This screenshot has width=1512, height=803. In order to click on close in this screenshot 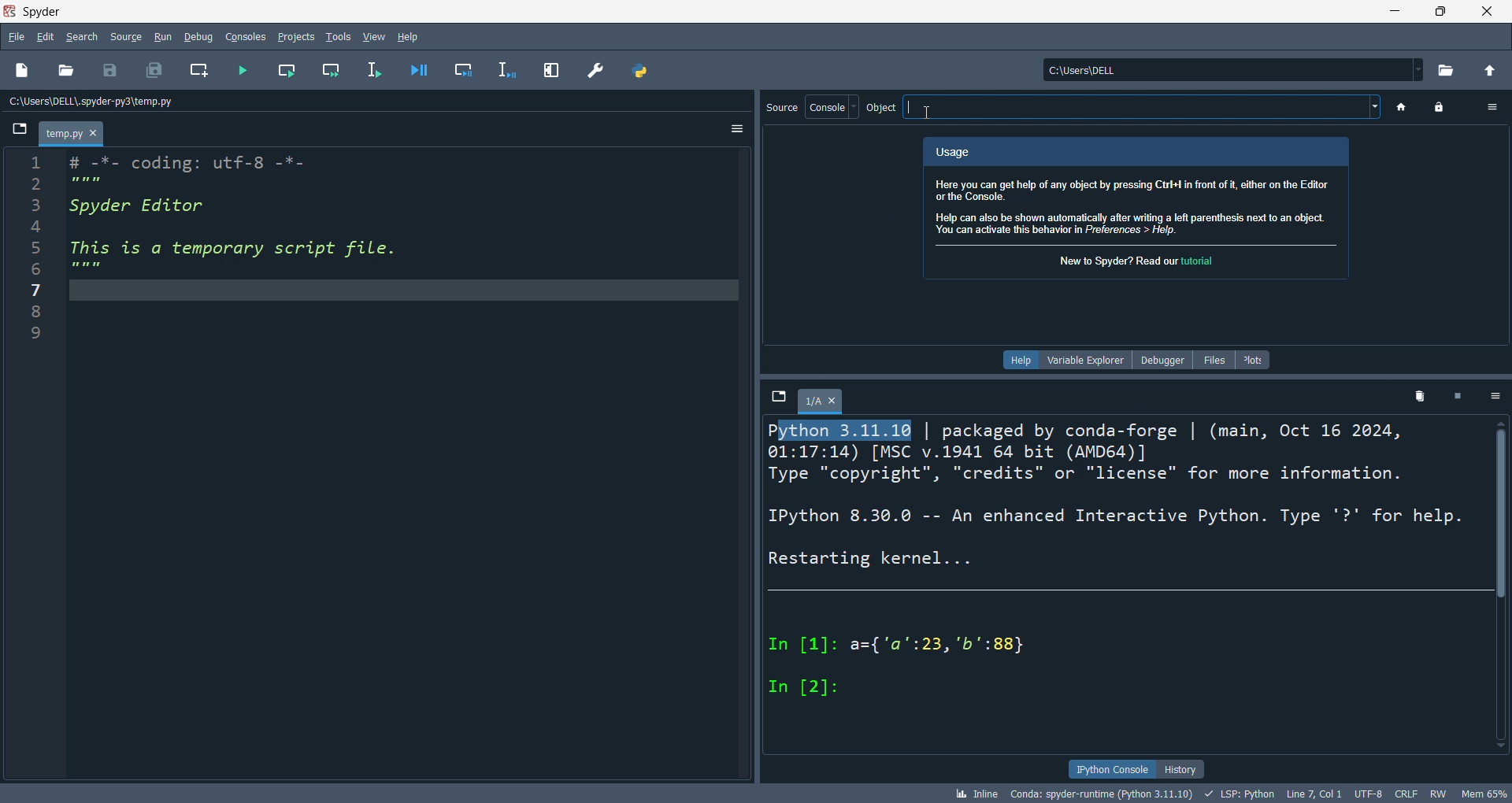, I will do `click(1488, 11)`.